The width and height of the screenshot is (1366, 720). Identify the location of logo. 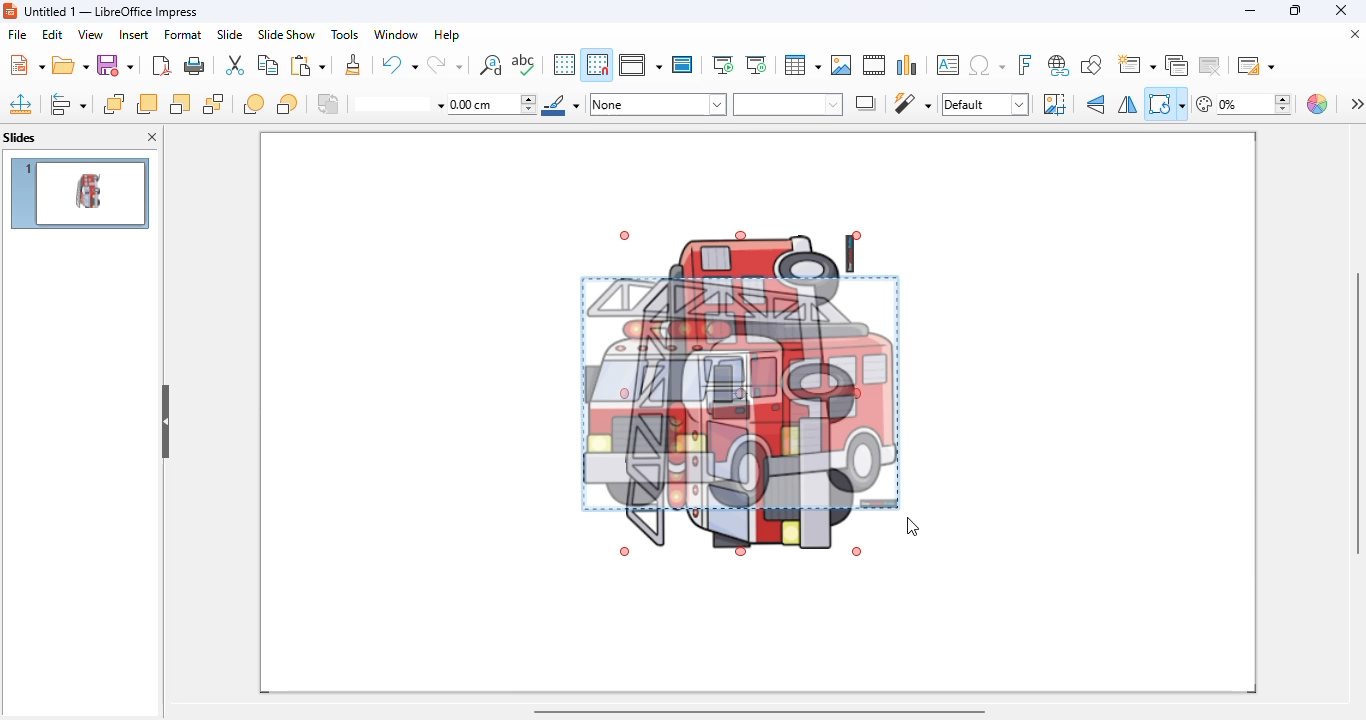
(10, 10).